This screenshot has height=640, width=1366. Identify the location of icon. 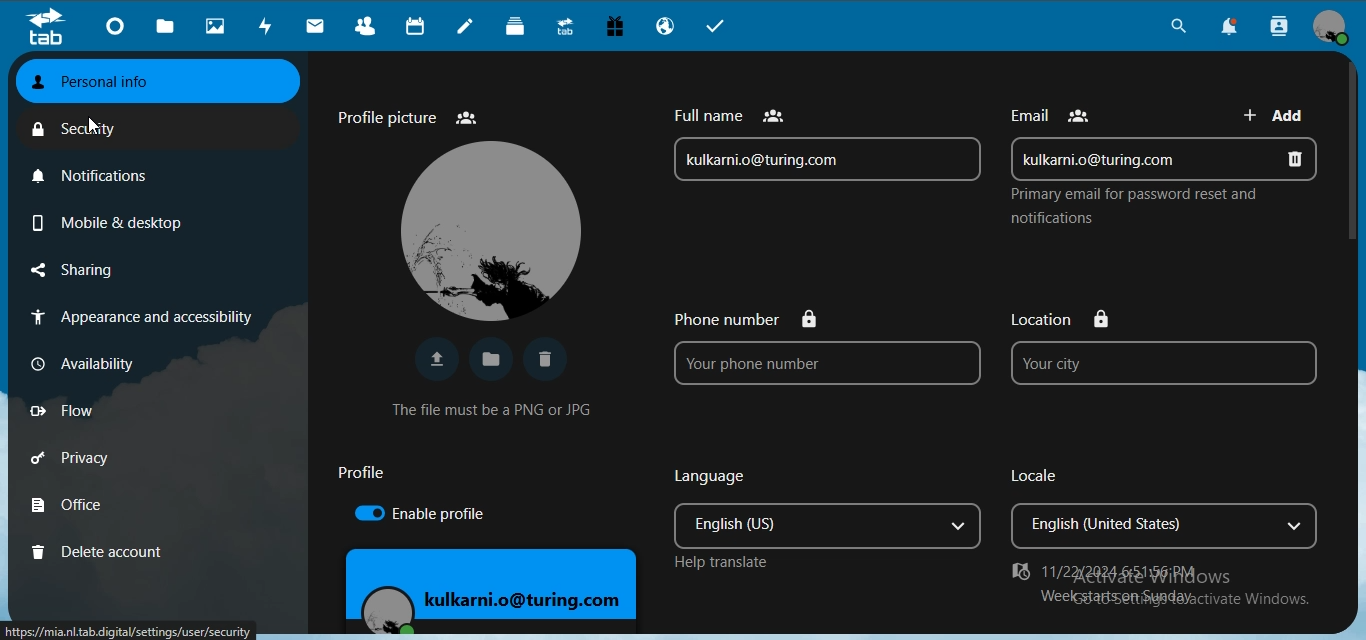
(45, 27).